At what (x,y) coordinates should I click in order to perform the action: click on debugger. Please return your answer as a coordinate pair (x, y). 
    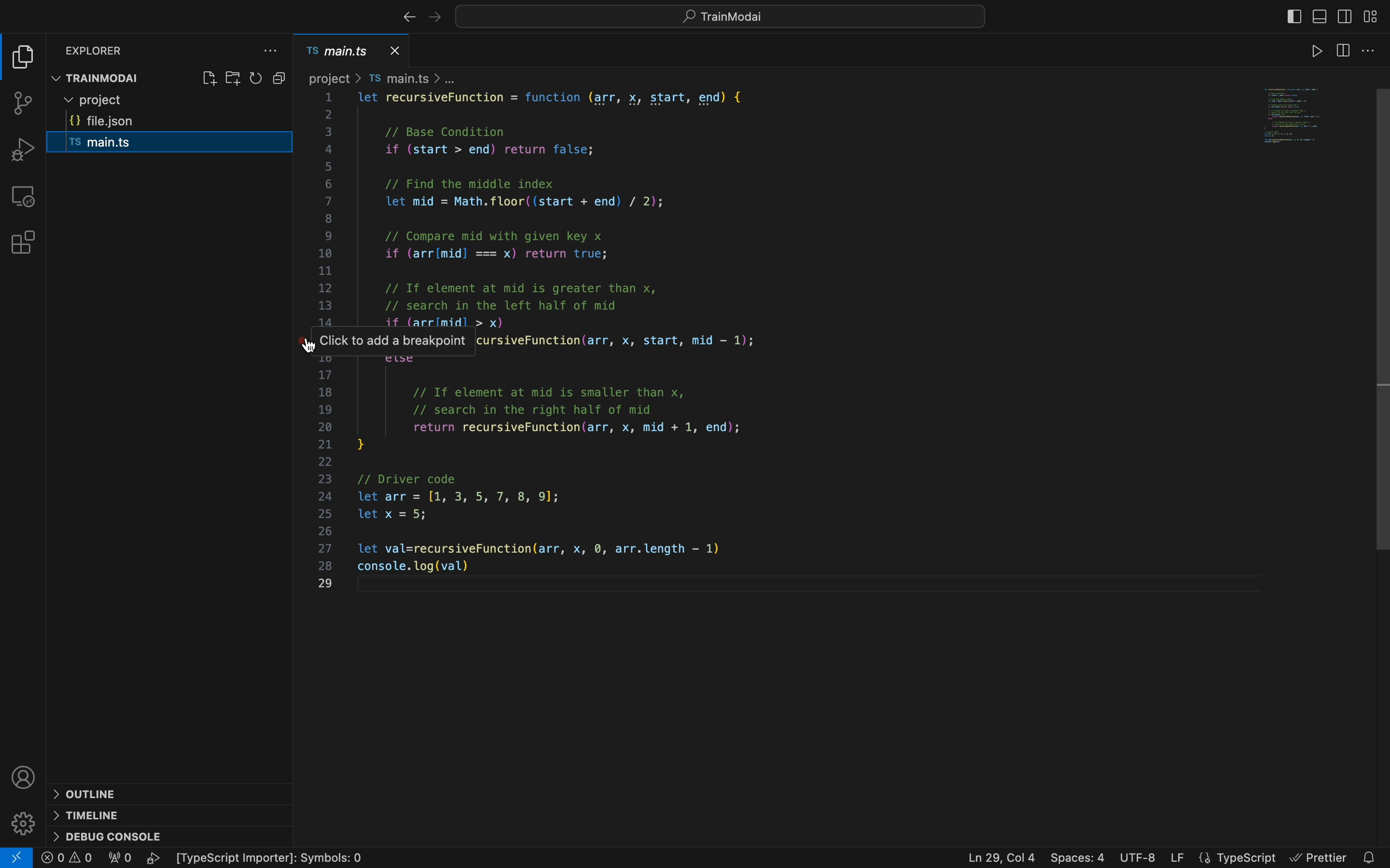
    Looking at the image, I should click on (25, 148).